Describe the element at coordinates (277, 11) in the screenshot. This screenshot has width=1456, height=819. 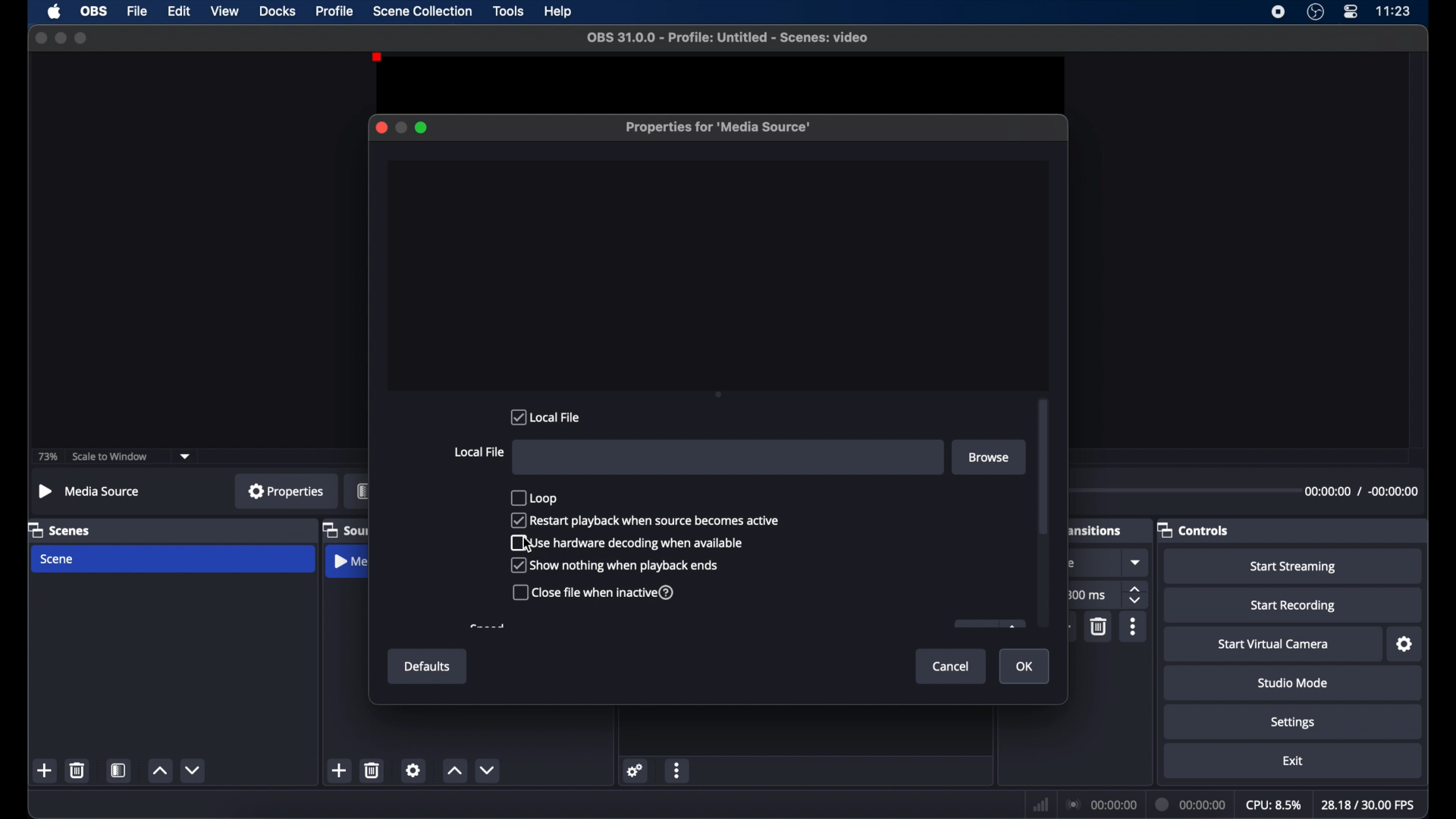
I see `docks` at that location.